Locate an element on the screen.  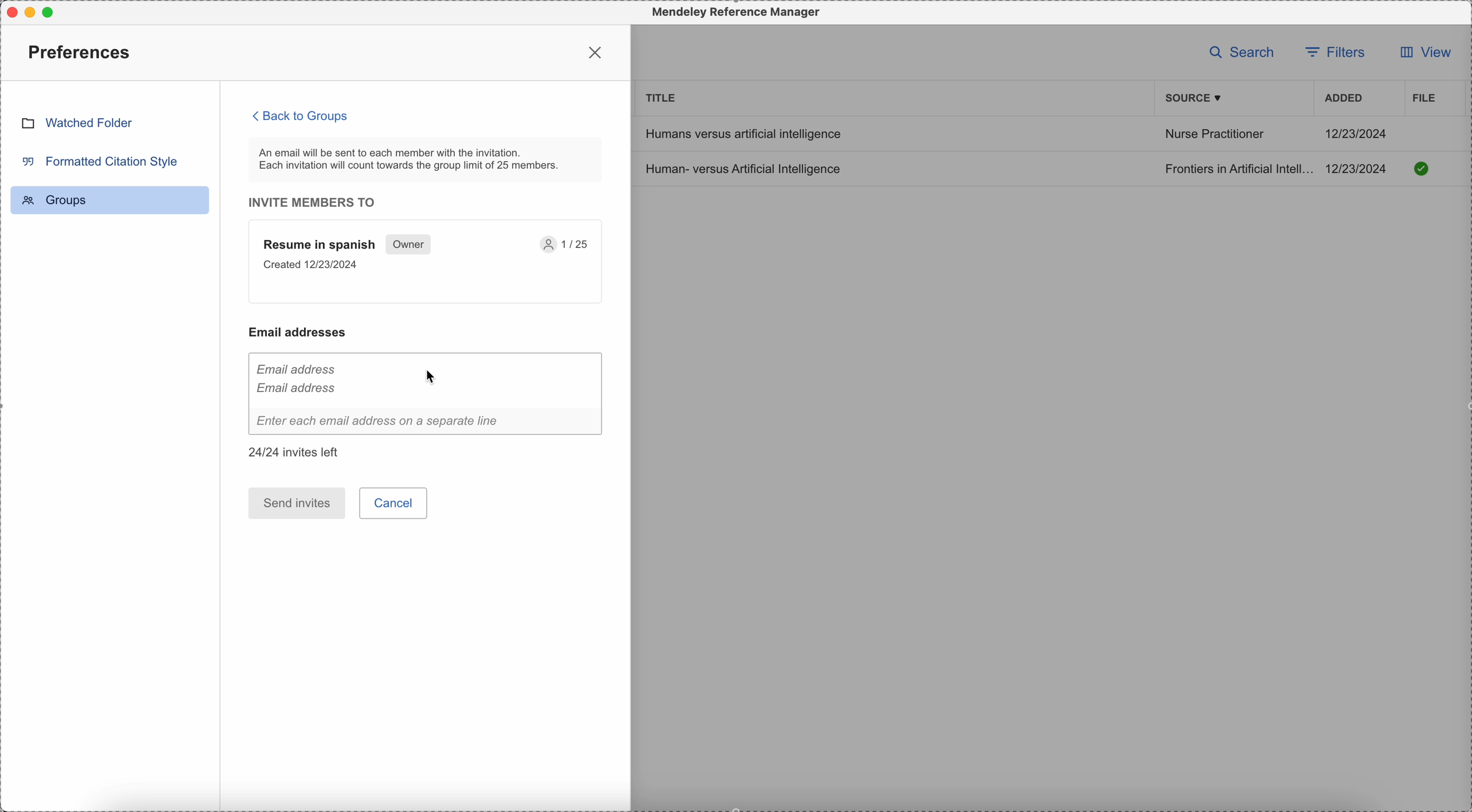
minimize is located at coordinates (33, 12).